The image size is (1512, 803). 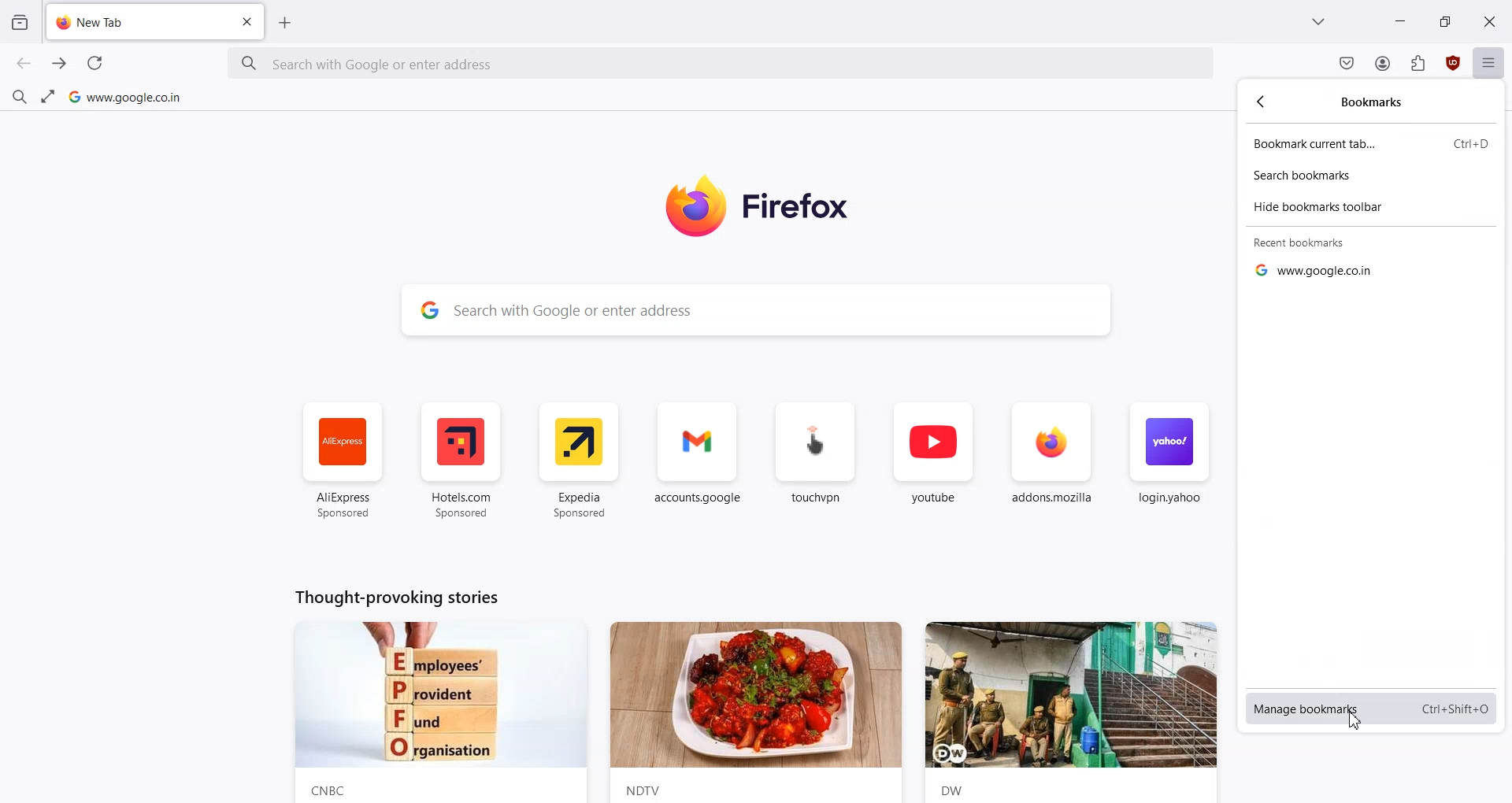 I want to click on Bookmark current tab, so click(x=1333, y=142).